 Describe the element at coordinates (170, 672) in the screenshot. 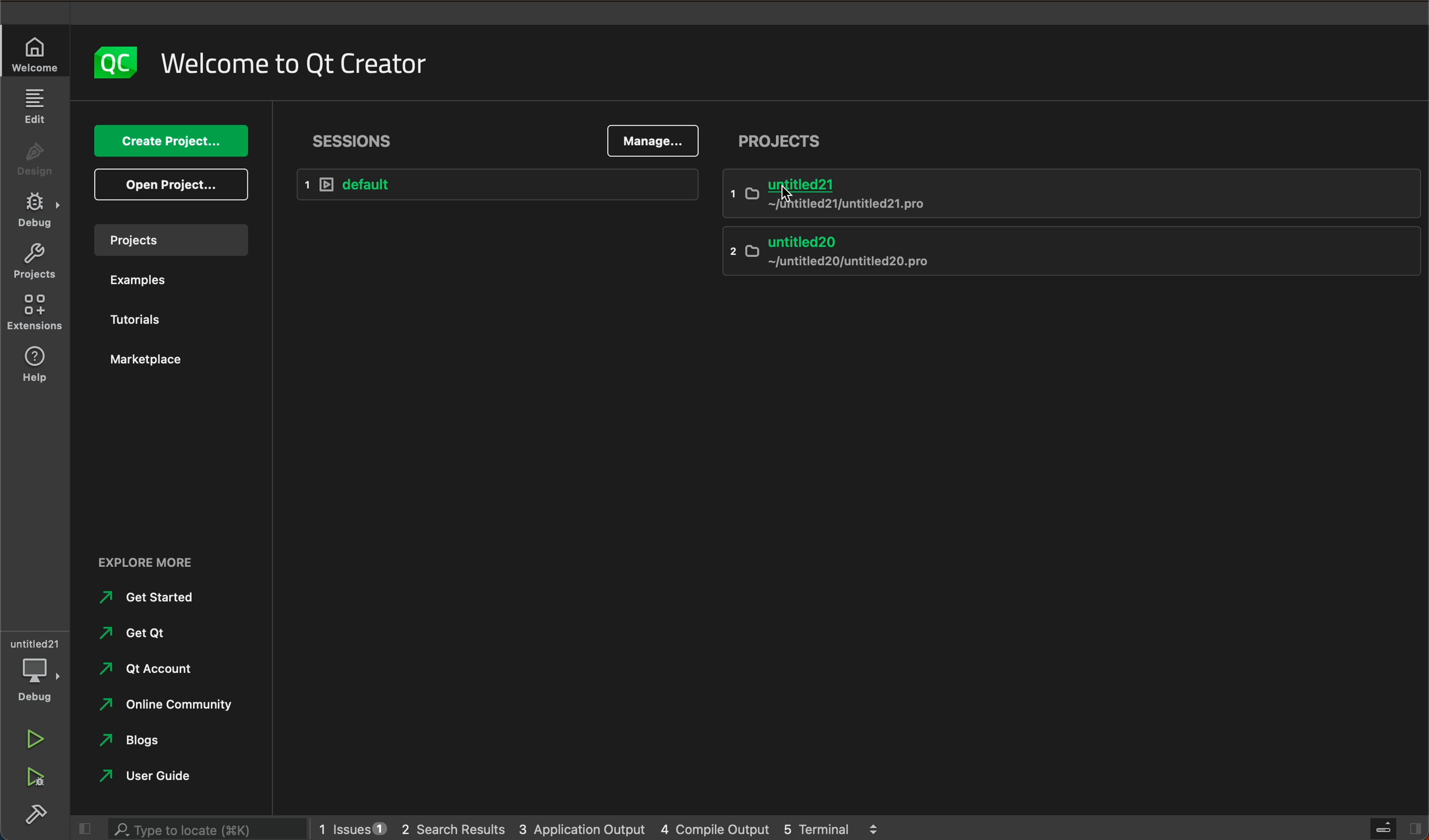

I see `qt accountability` at that location.